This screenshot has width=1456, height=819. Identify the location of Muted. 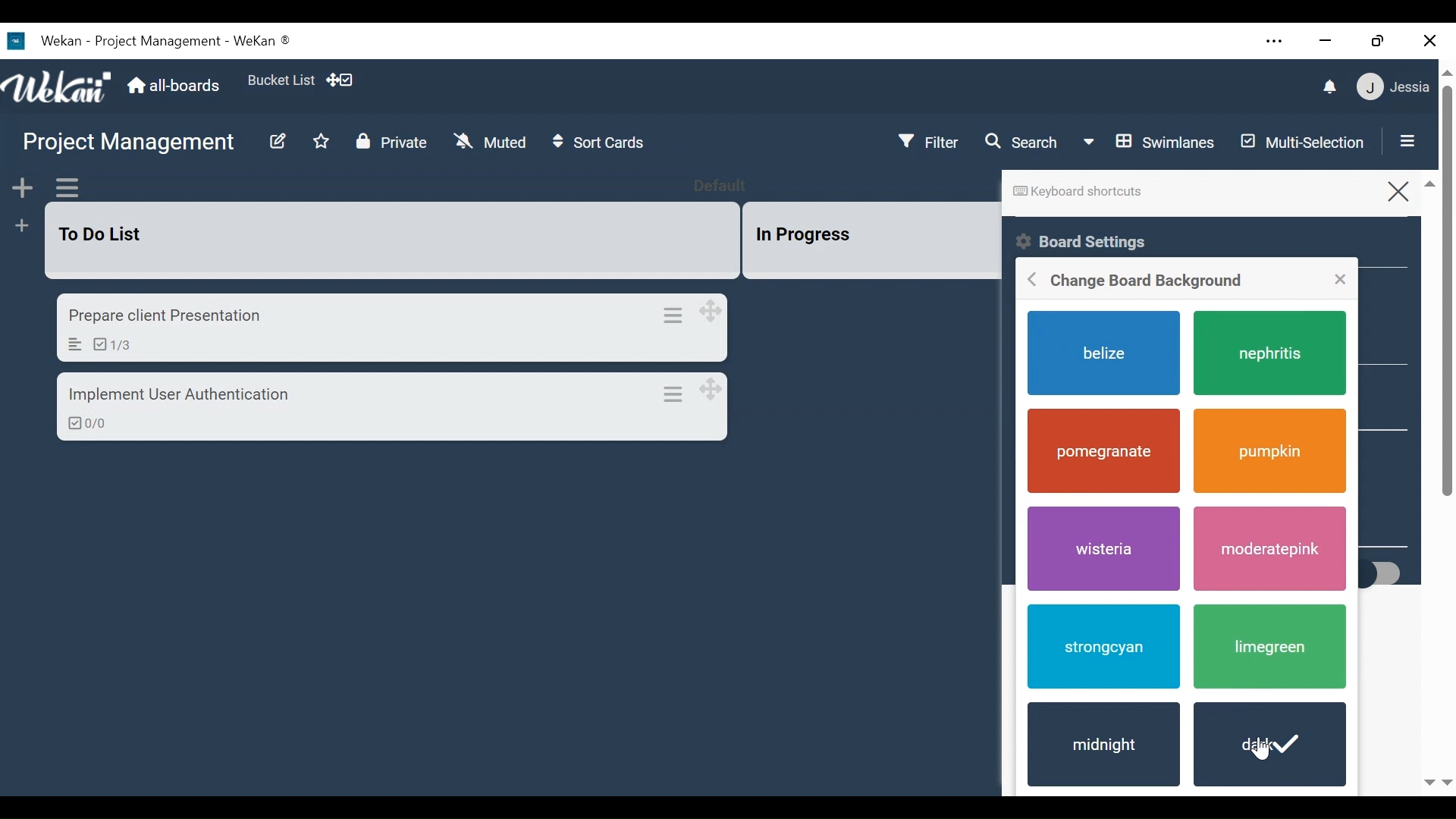
(490, 142).